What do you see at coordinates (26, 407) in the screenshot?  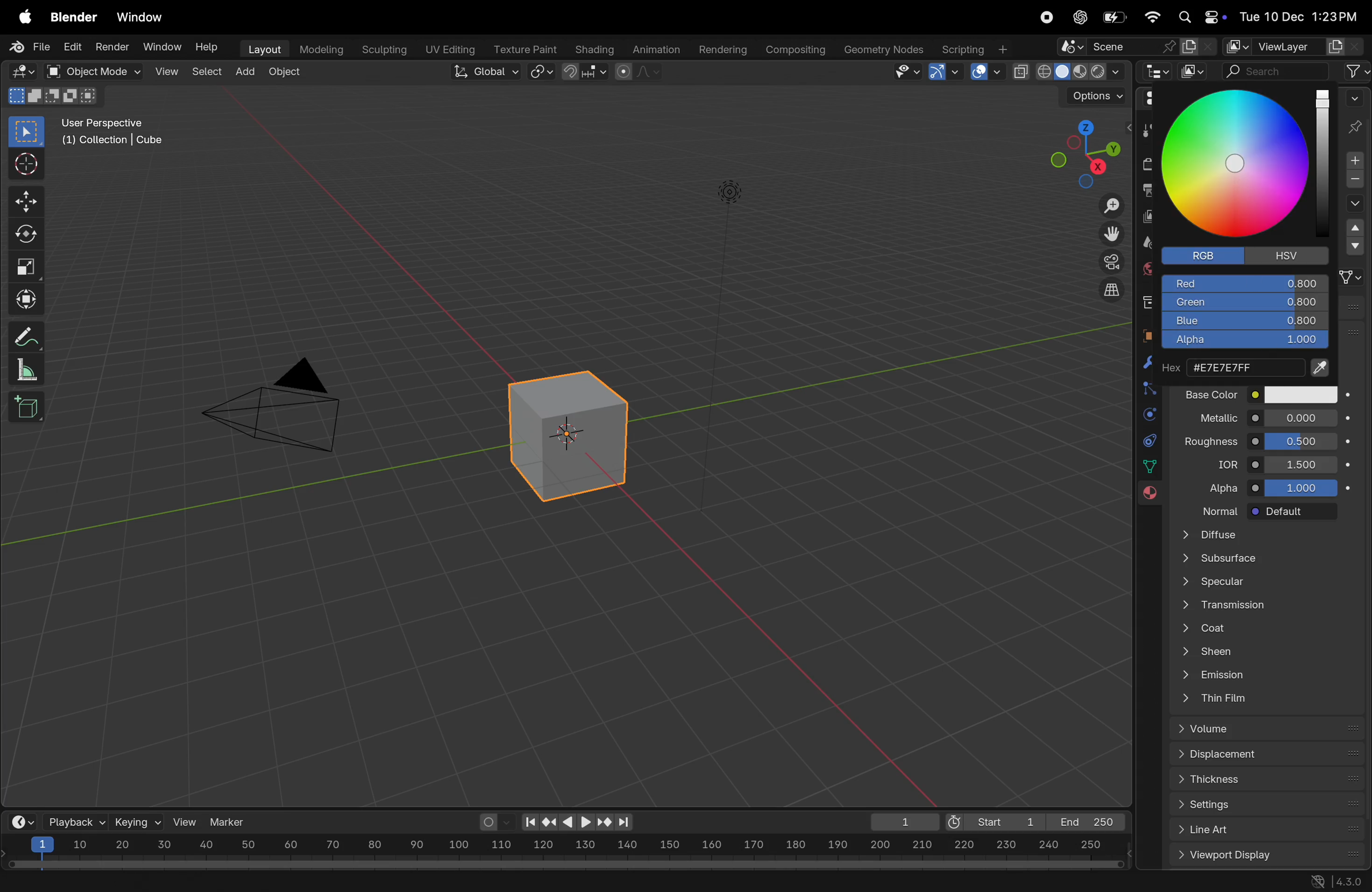 I see `3D cube` at bounding box center [26, 407].